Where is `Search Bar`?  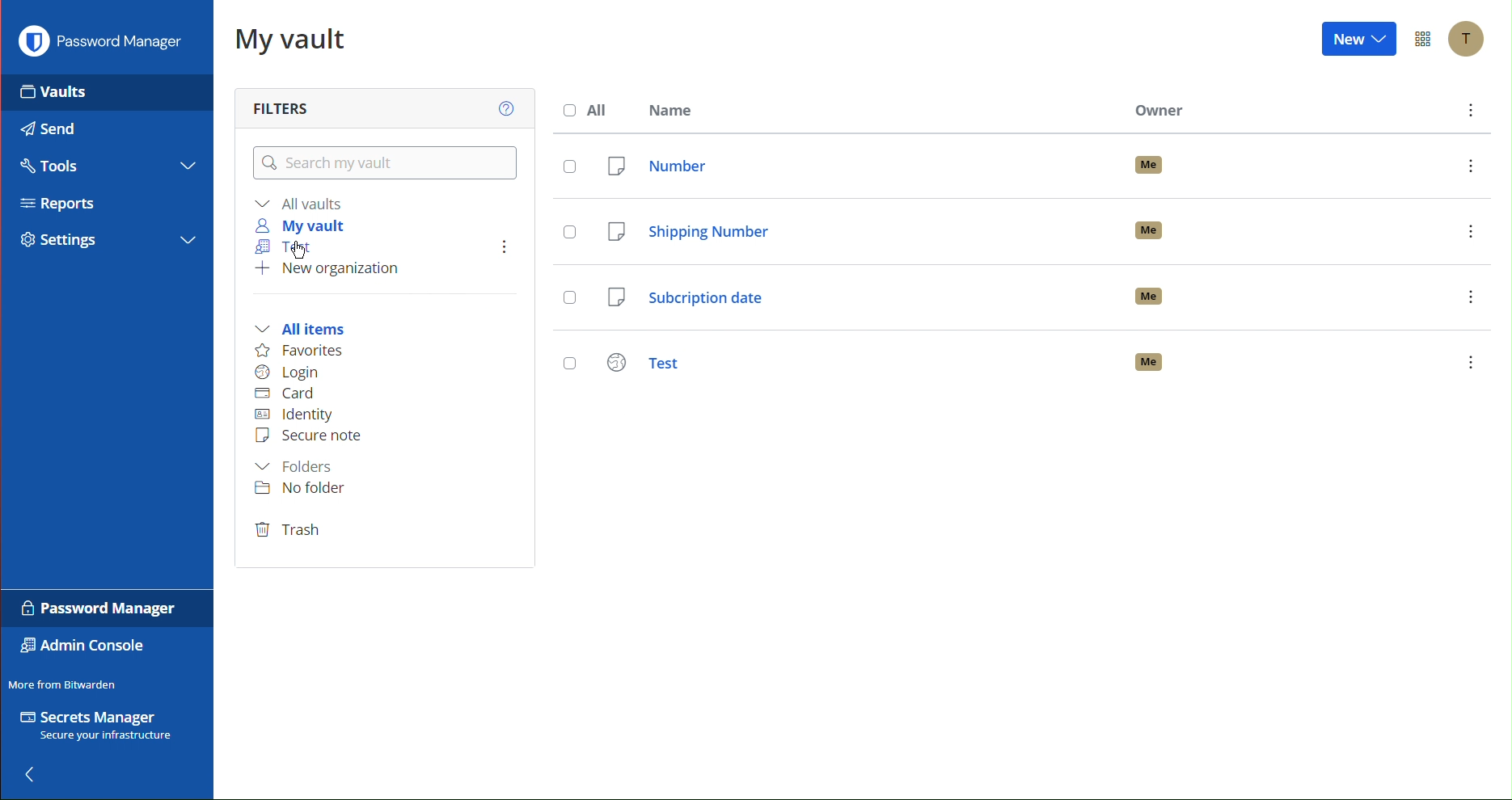
Search Bar is located at coordinates (382, 161).